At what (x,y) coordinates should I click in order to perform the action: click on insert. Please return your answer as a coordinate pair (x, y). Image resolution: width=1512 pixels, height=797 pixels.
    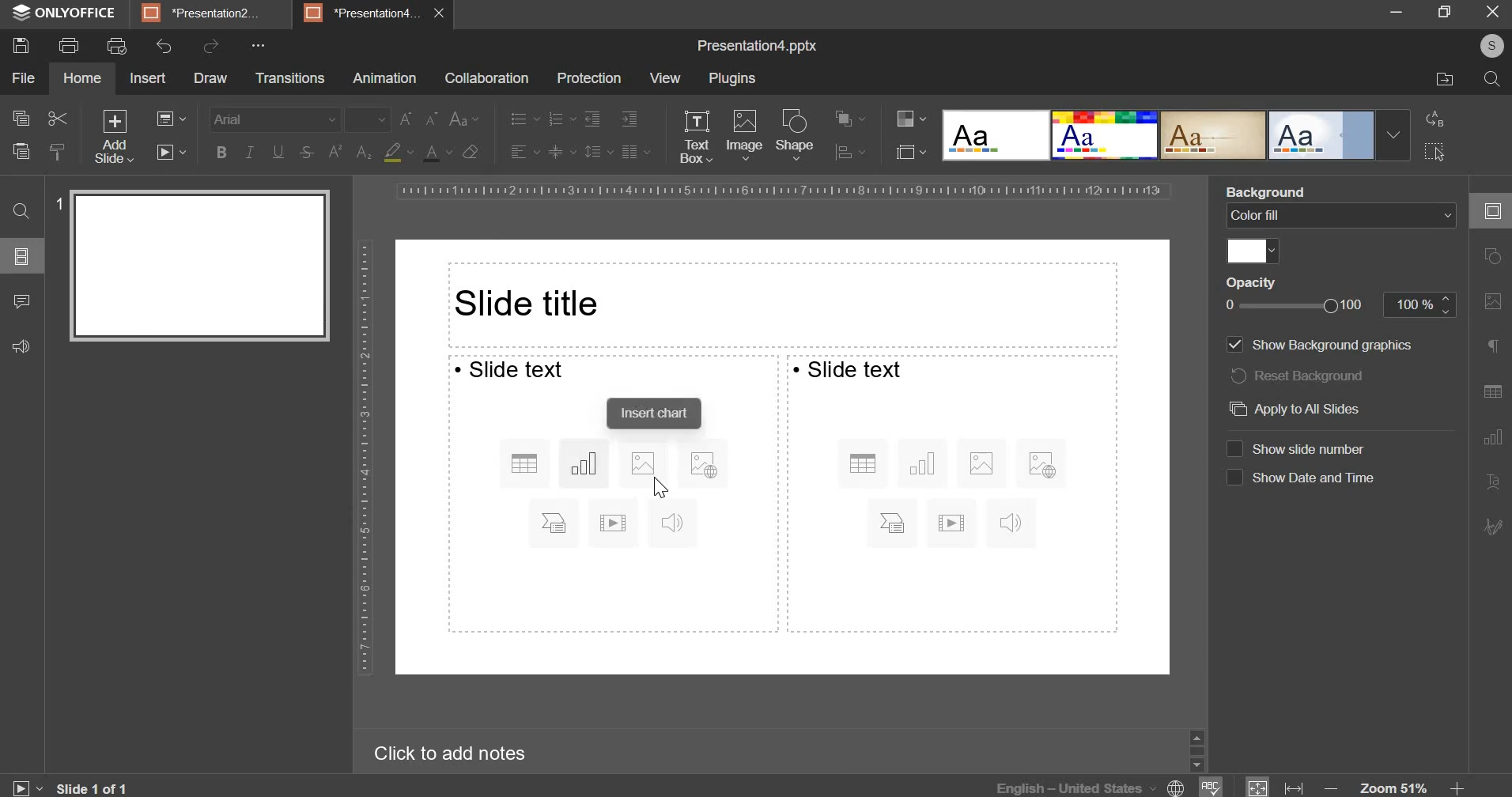
    Looking at the image, I should click on (148, 79).